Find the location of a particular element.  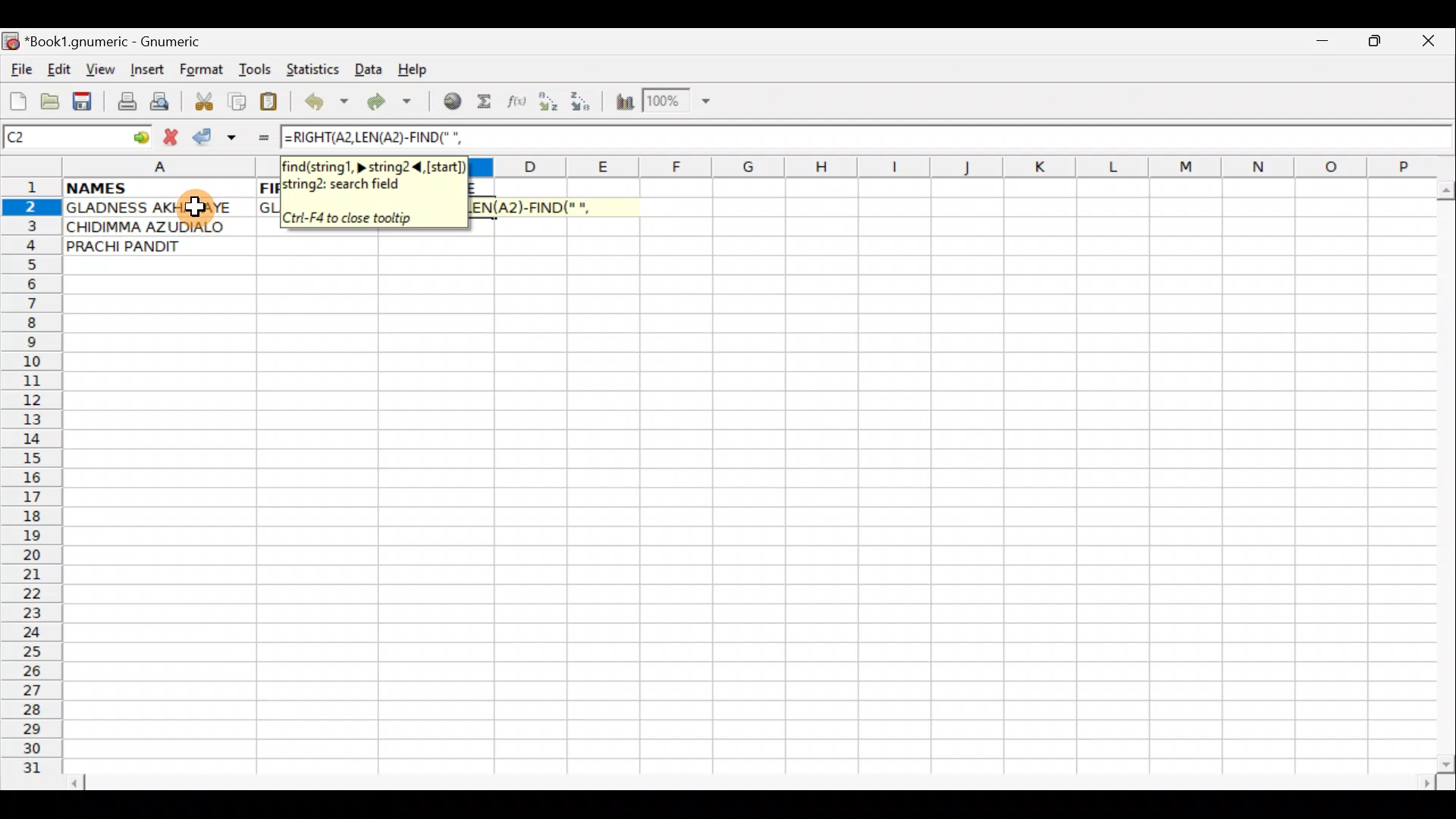

Insert Chart is located at coordinates (620, 104).